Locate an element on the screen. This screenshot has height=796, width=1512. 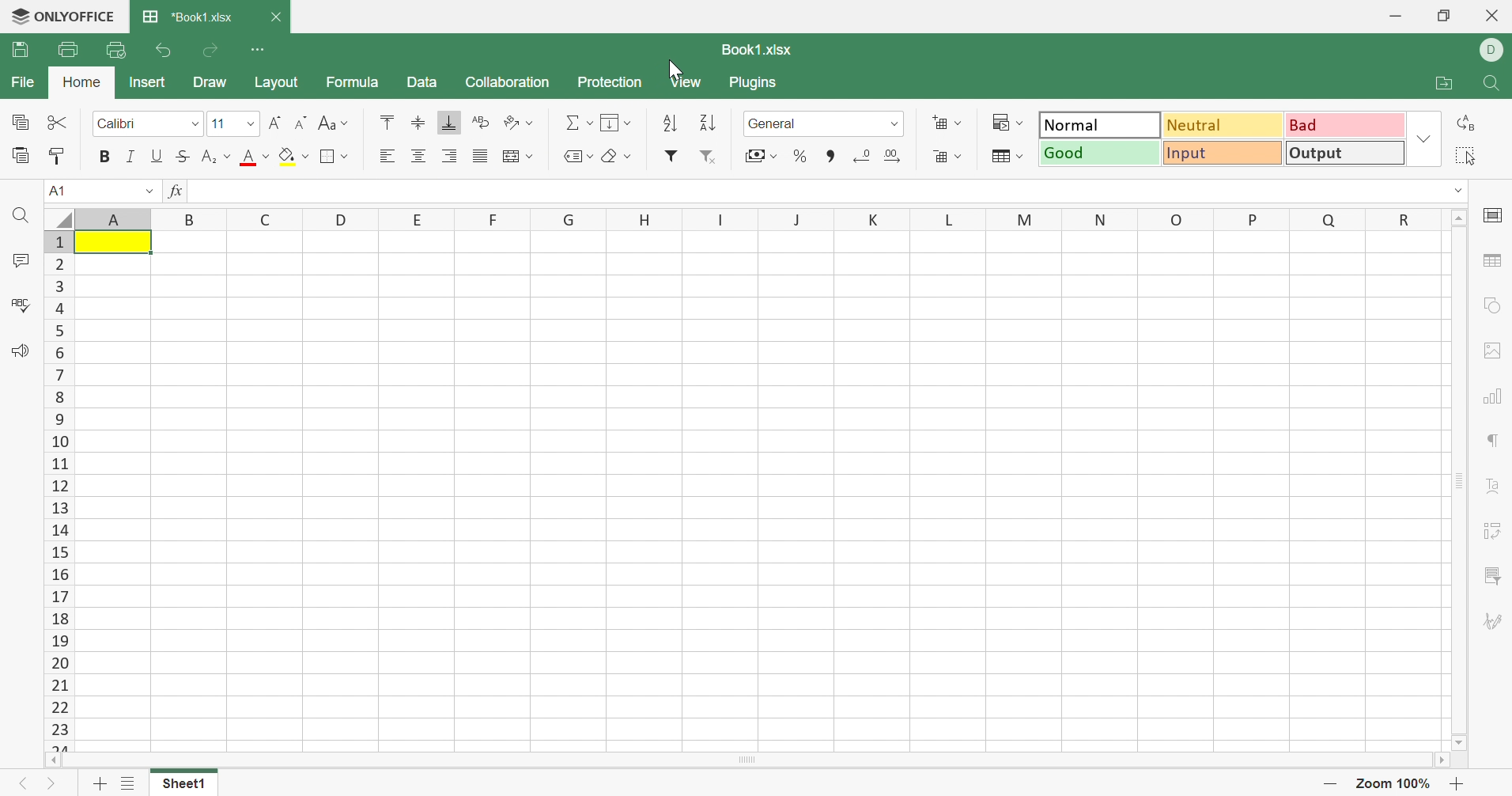
View is located at coordinates (682, 81).